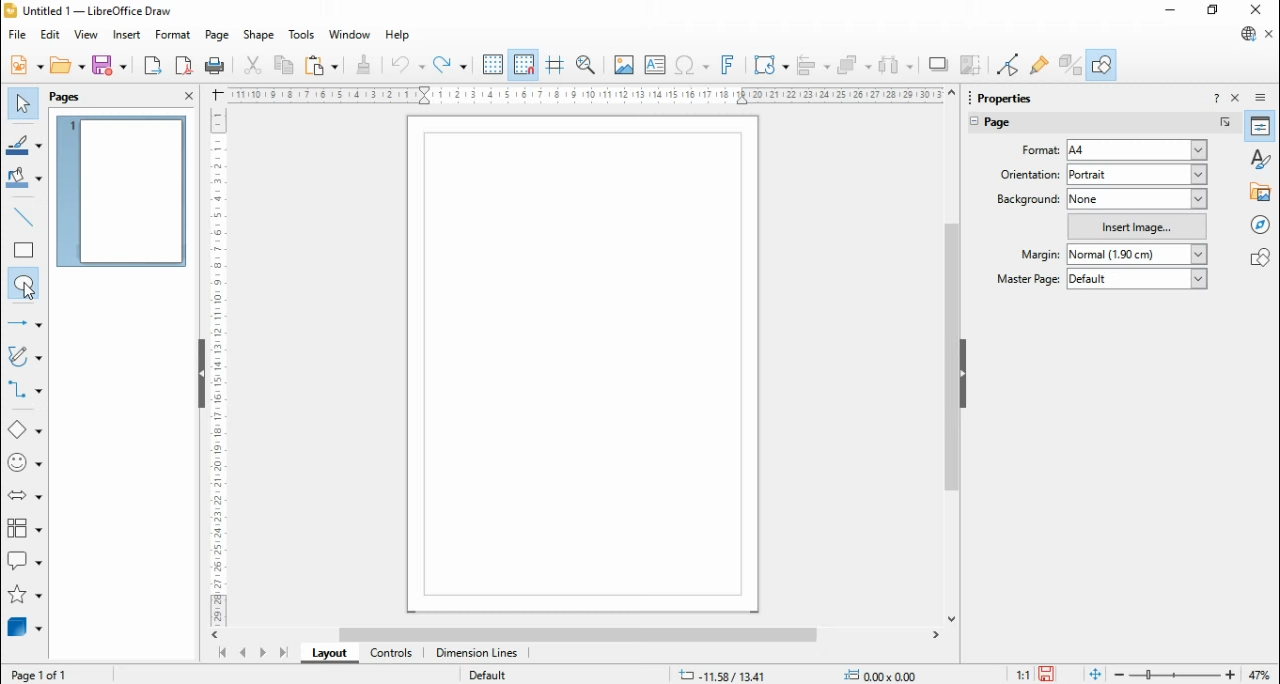  Describe the element at coordinates (1172, 10) in the screenshot. I see `minimize` at that location.